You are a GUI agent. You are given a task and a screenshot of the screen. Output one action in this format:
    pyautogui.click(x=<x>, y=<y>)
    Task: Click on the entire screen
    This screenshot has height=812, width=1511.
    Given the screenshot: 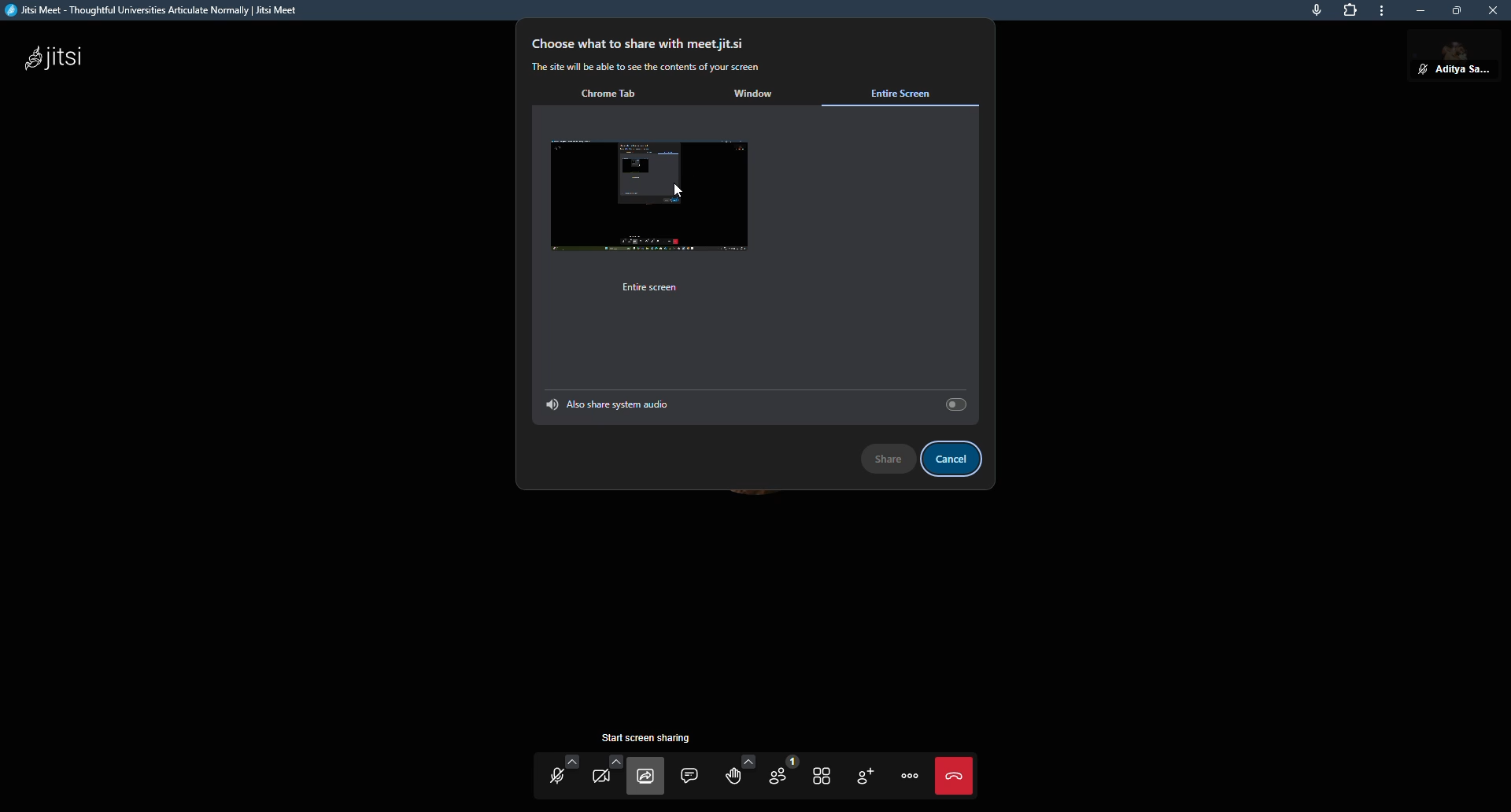 What is the action you would take?
    pyautogui.click(x=656, y=197)
    